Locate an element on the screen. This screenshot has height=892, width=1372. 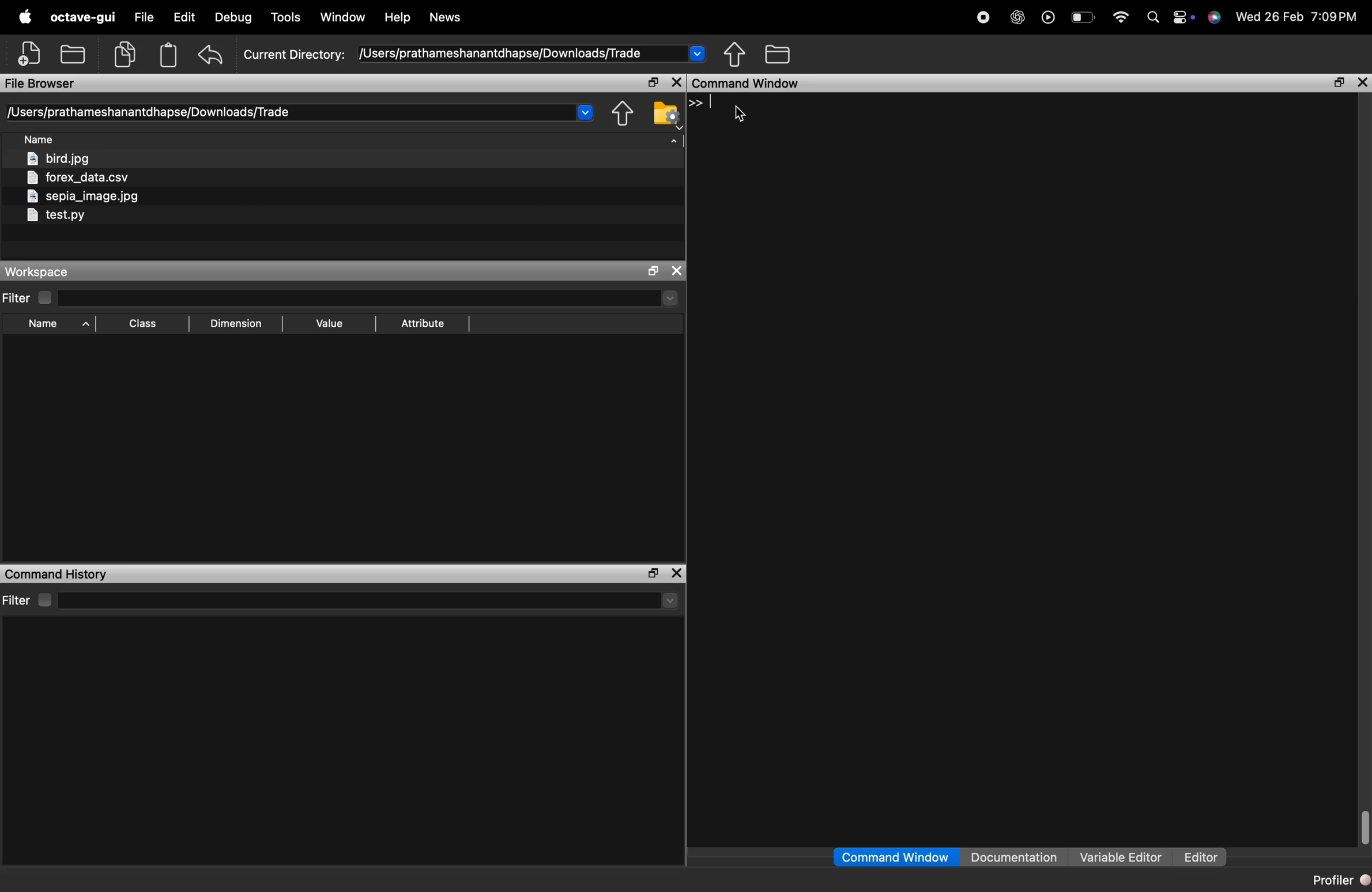
octave-gui is located at coordinates (85, 18).